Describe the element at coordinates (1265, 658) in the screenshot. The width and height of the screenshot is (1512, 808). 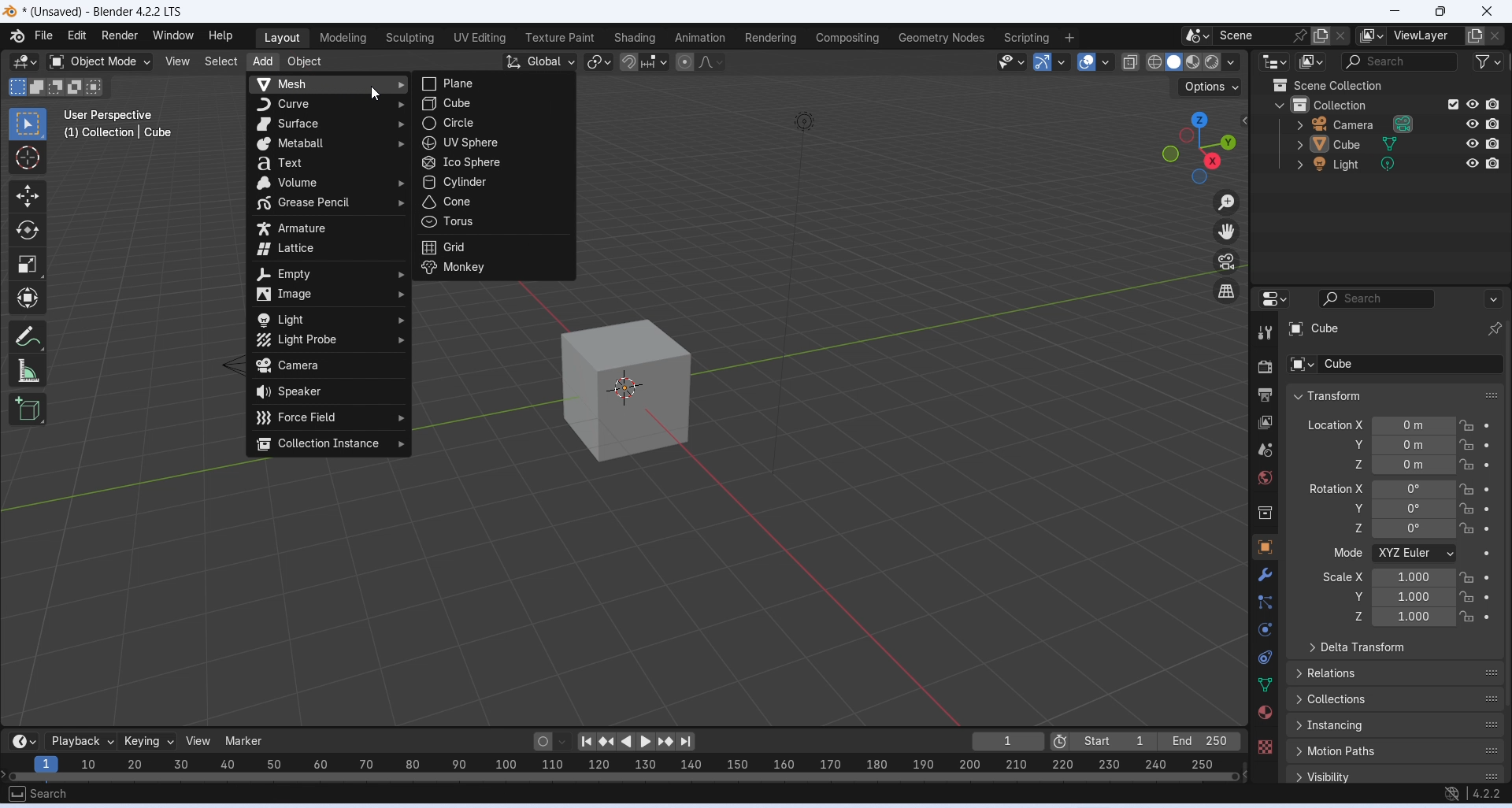
I see `constraints` at that location.